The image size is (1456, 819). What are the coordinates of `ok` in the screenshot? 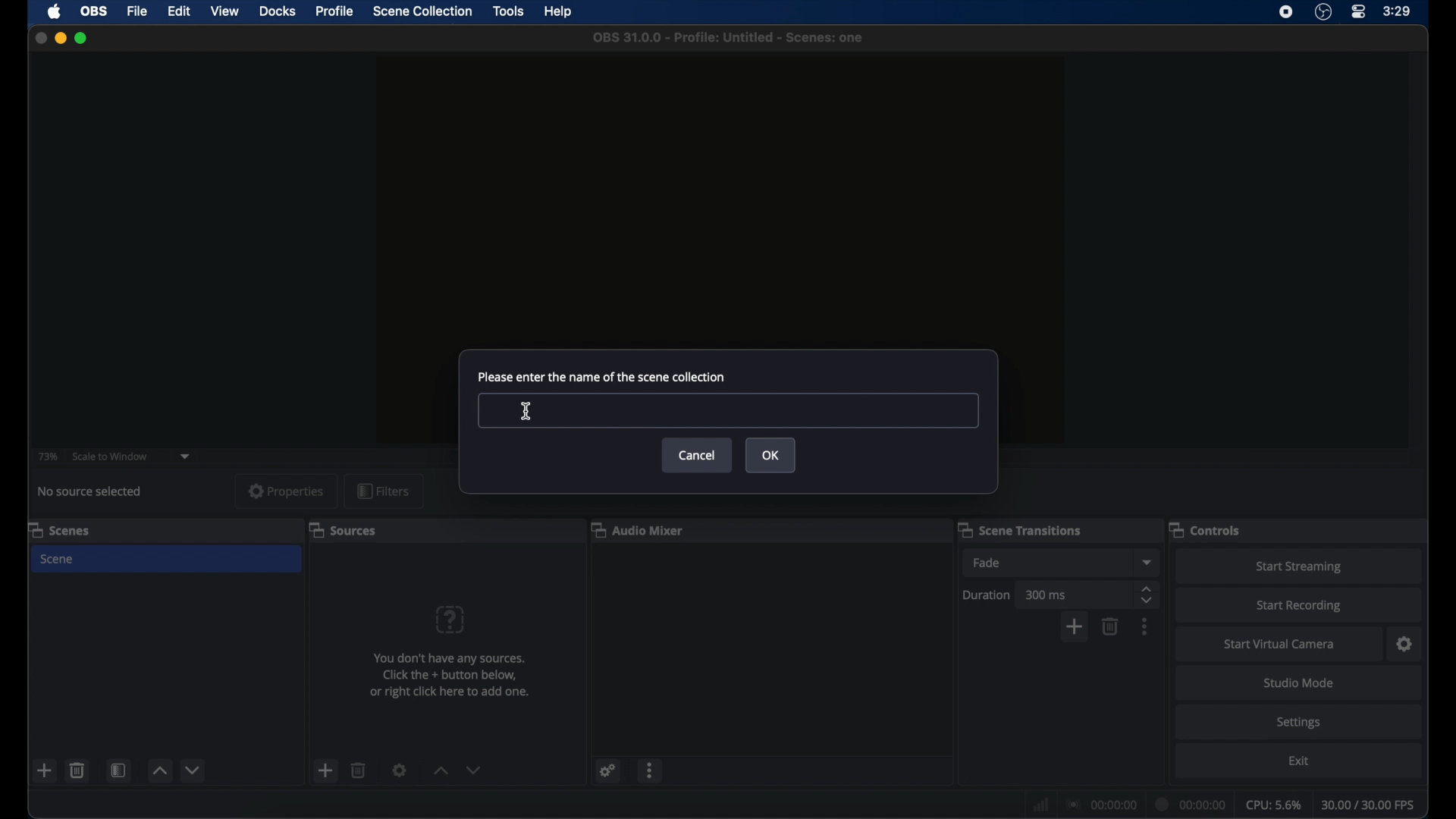 It's located at (770, 455).